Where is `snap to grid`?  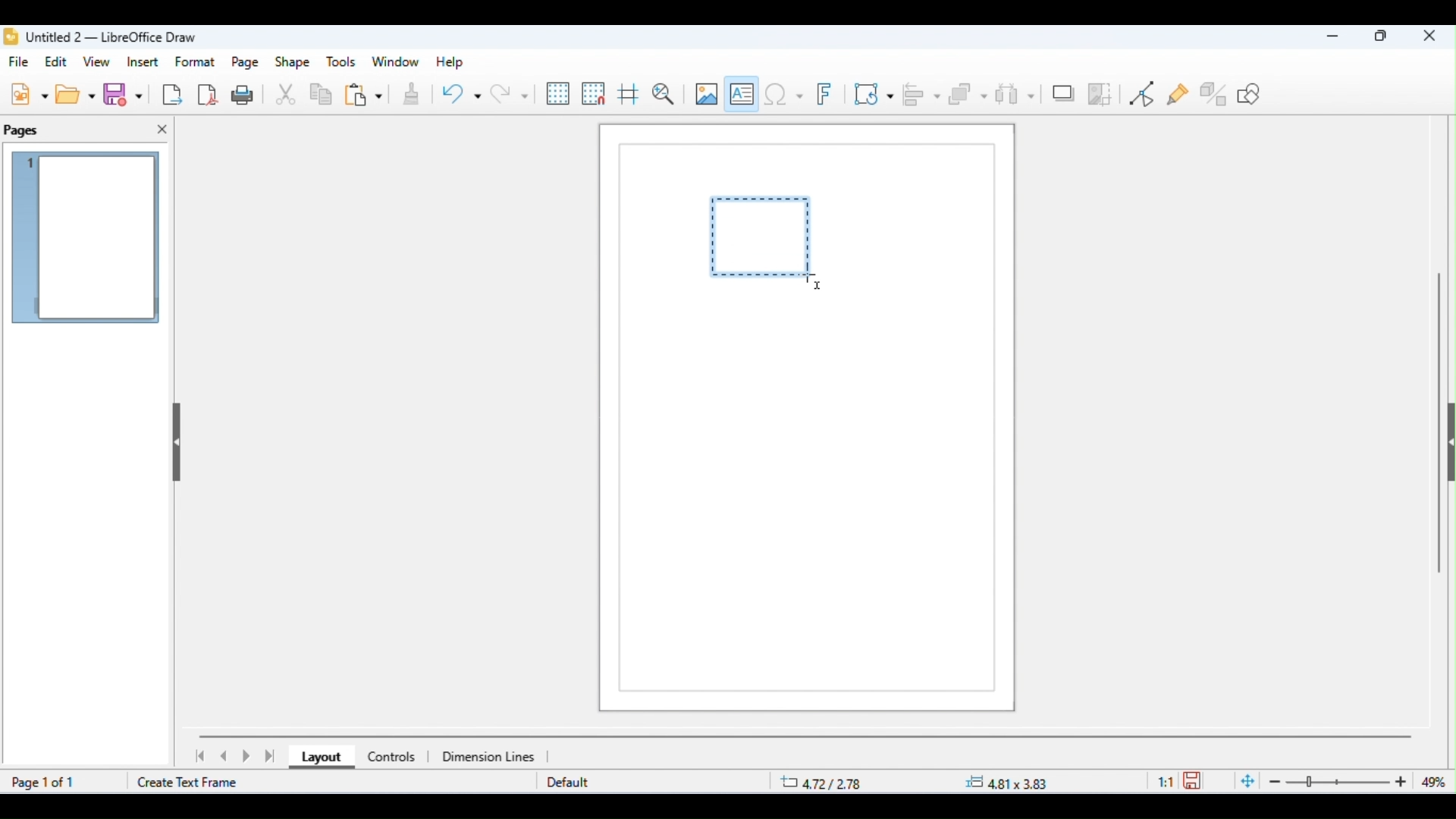 snap to grid is located at coordinates (595, 93).